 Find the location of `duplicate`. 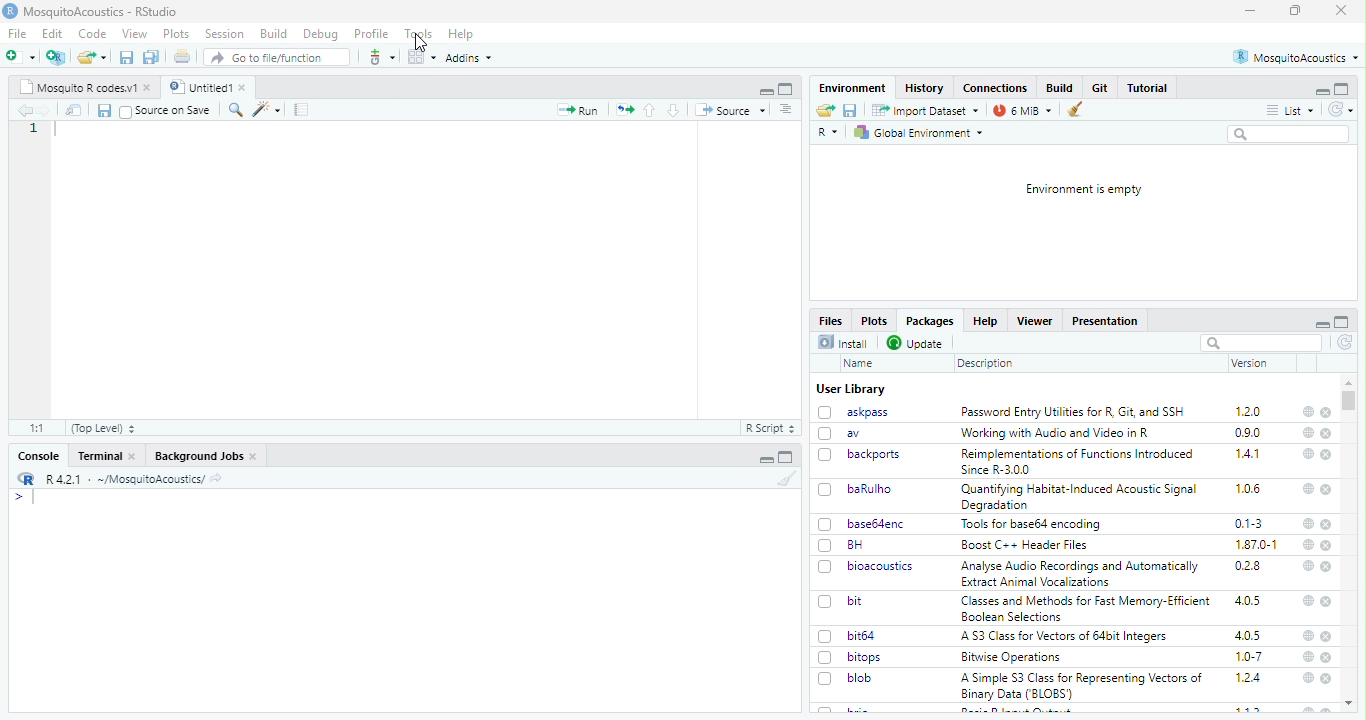

duplicate is located at coordinates (152, 57).